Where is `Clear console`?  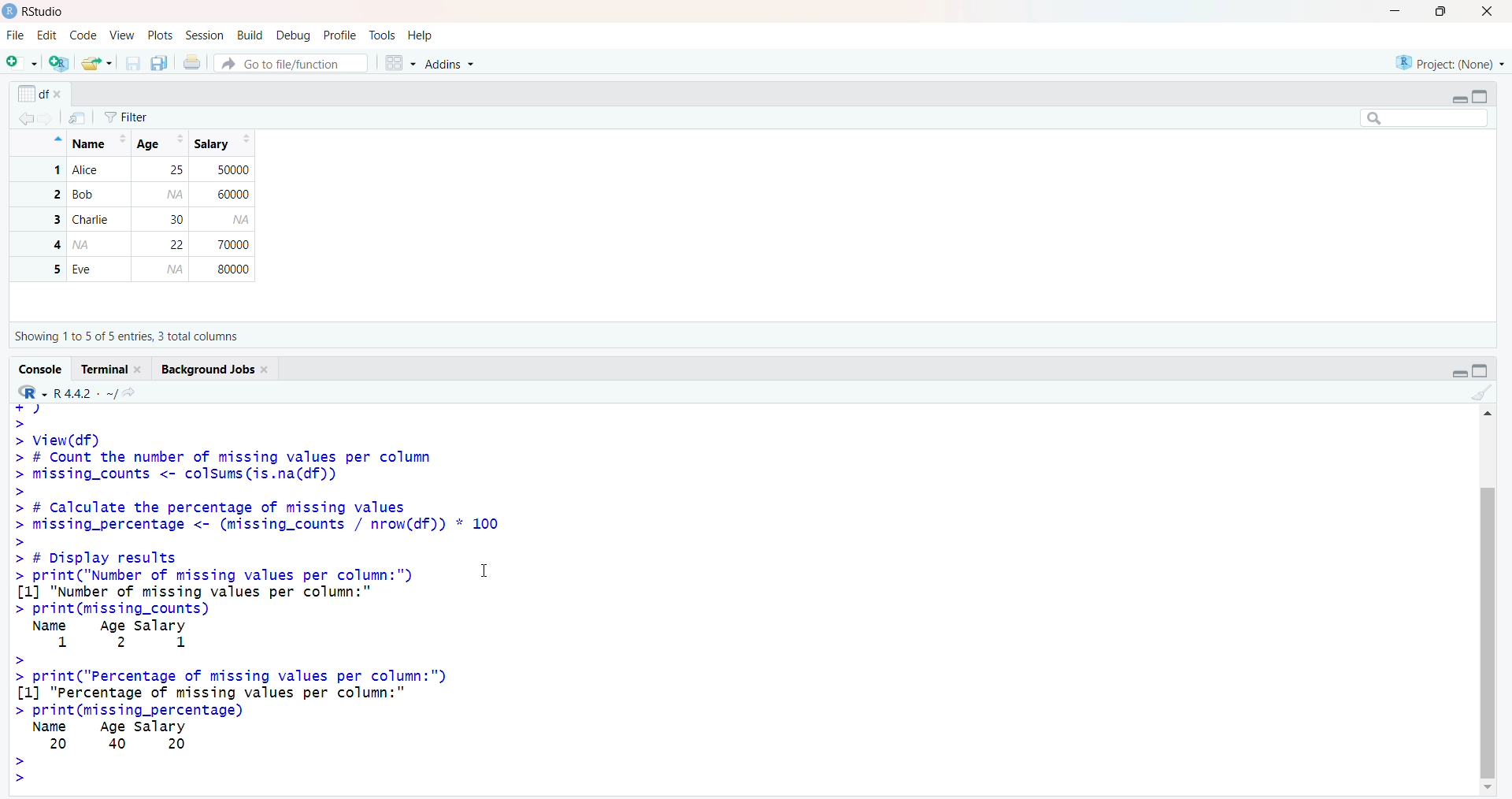
Clear console is located at coordinates (1481, 394).